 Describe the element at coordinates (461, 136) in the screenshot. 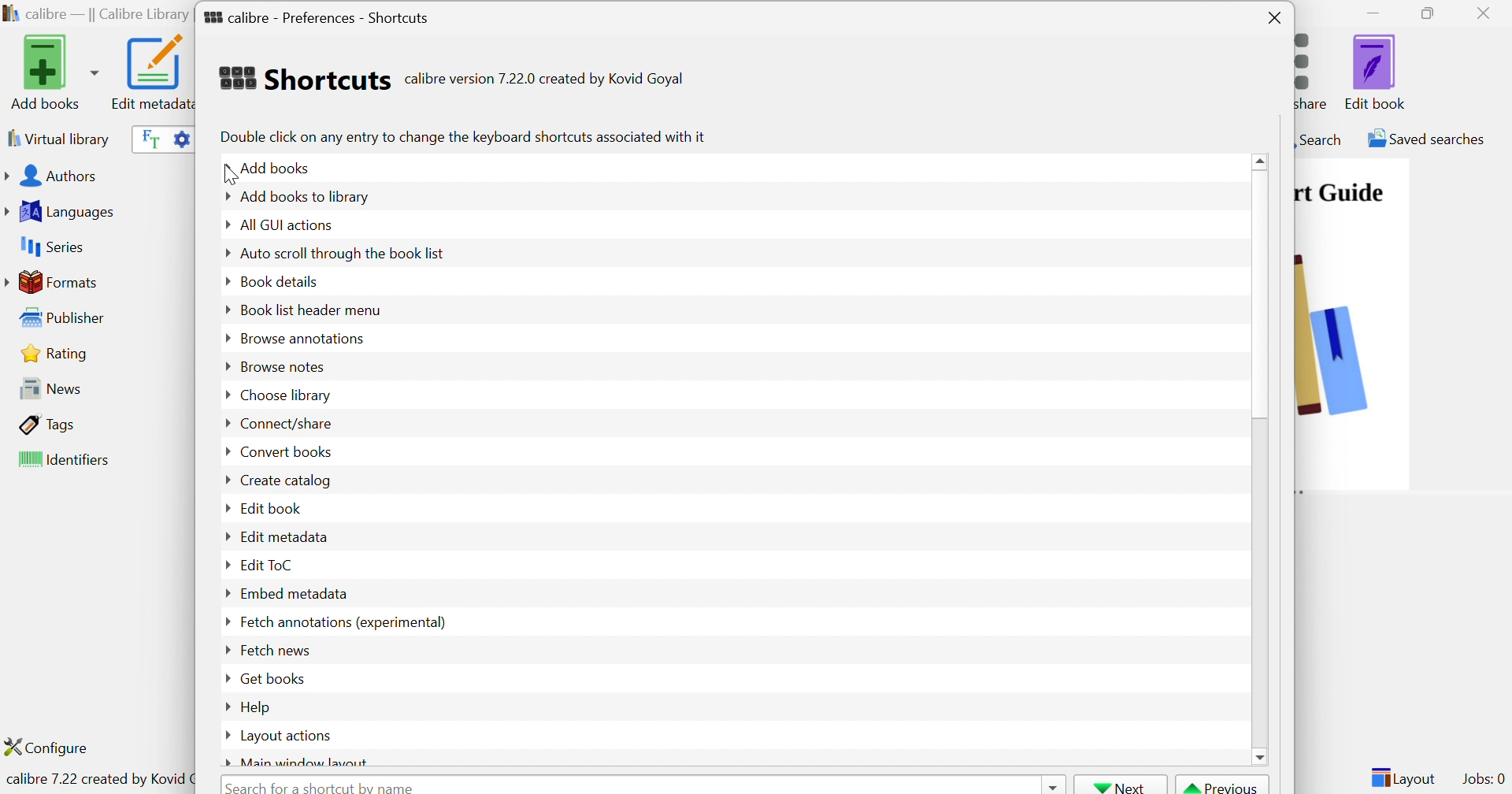

I see `Double click on any entry to change the keyboard shortcuts associated with it` at that location.